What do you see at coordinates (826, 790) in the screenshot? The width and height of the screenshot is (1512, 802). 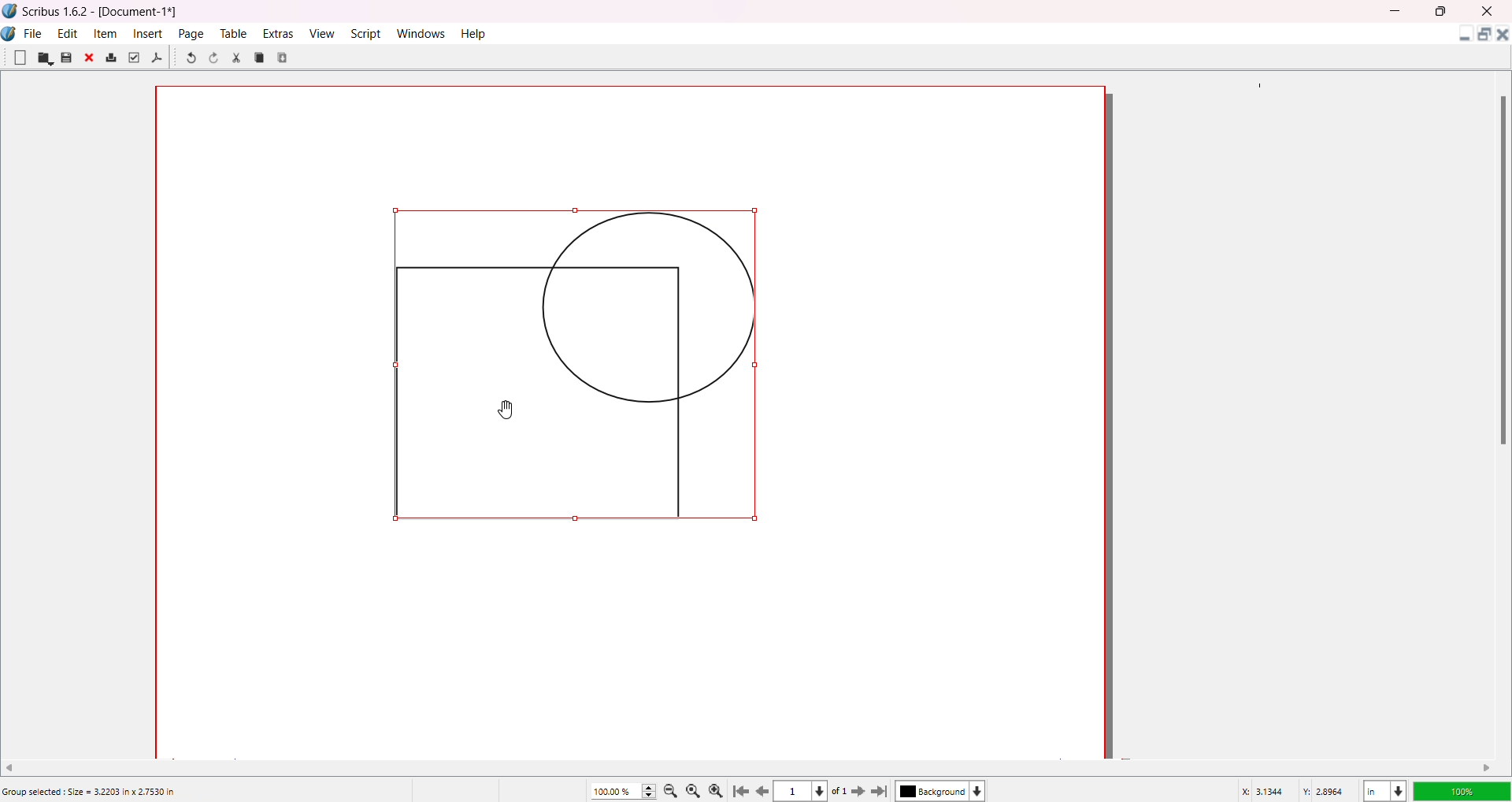 I see `Page dropdown` at bounding box center [826, 790].